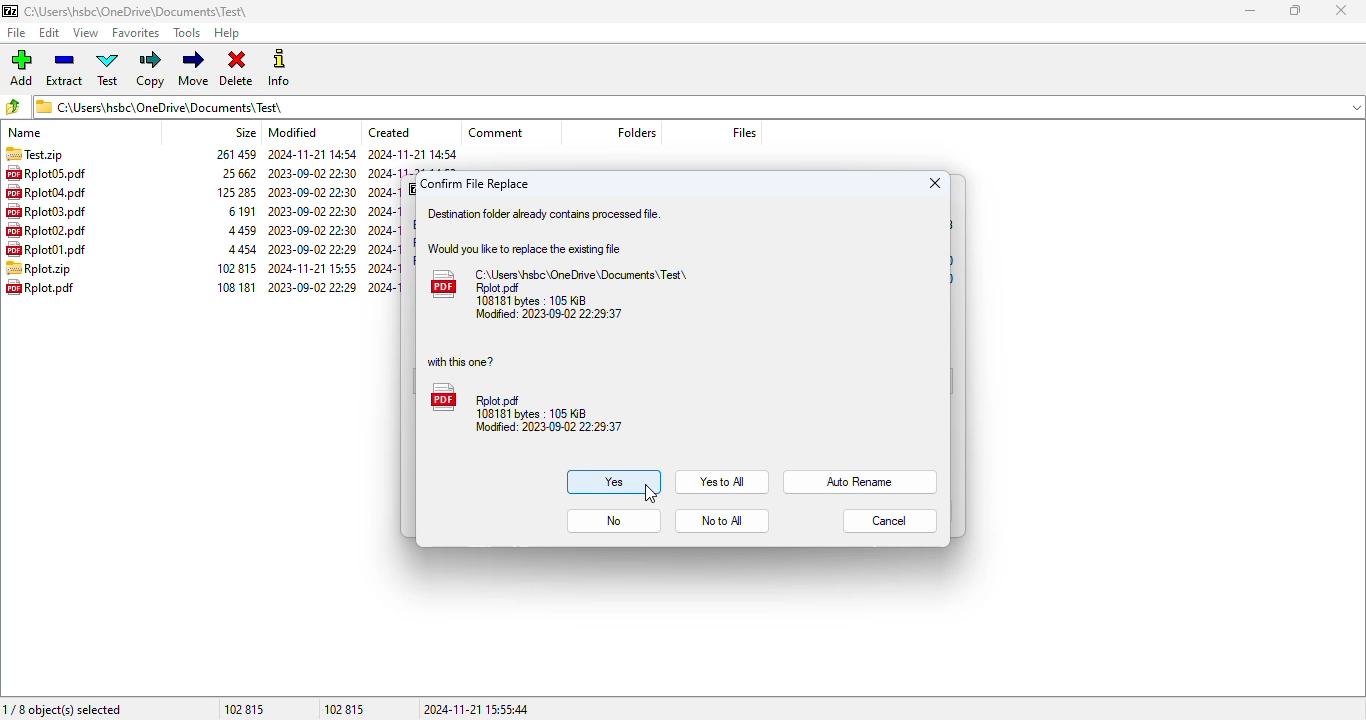 This screenshot has width=1366, height=720. What do you see at coordinates (67, 708) in the screenshot?
I see `1/8 object(s) selected` at bounding box center [67, 708].